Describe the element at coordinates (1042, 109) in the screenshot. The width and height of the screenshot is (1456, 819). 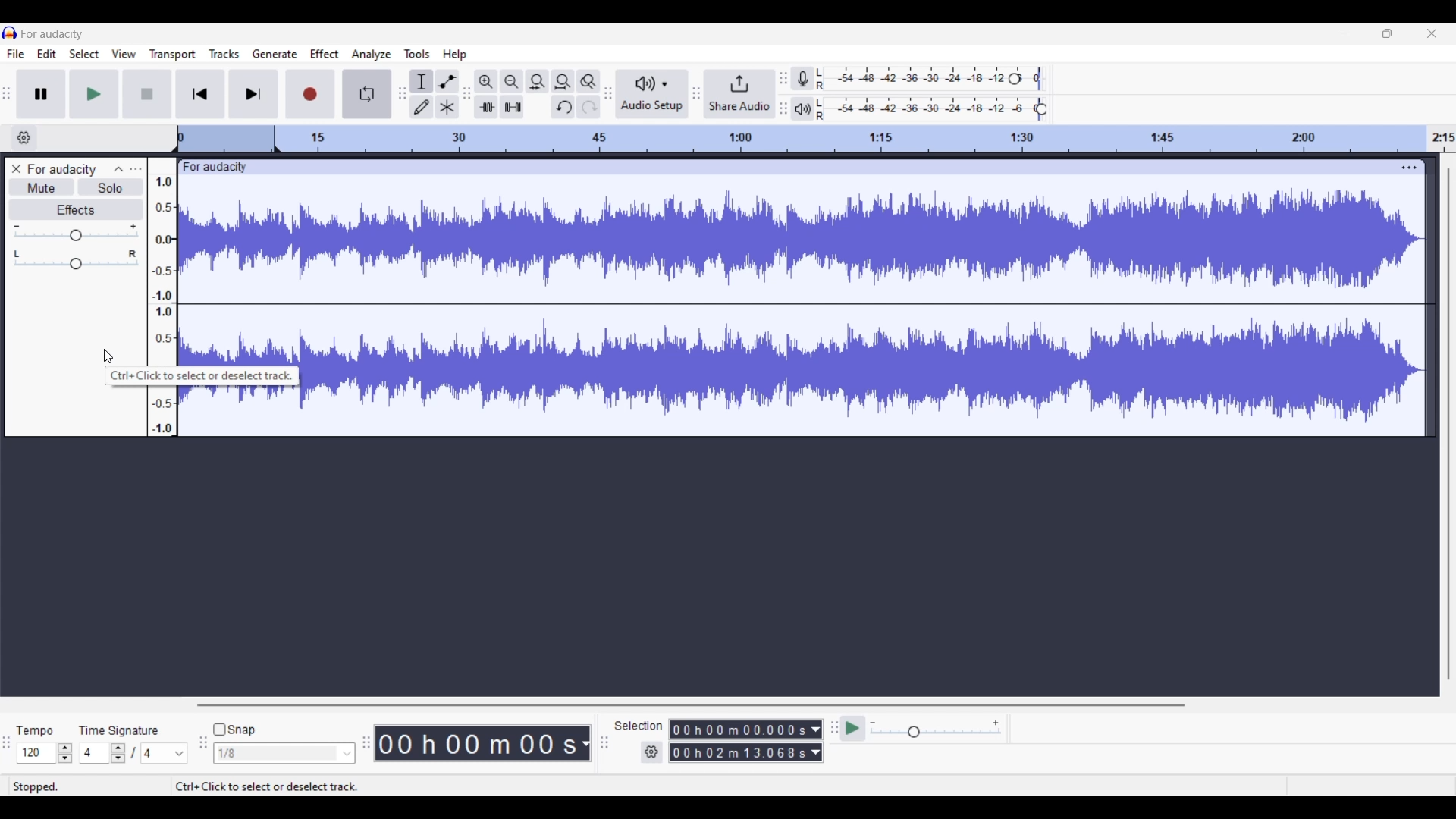
I see `Playback level header` at that location.